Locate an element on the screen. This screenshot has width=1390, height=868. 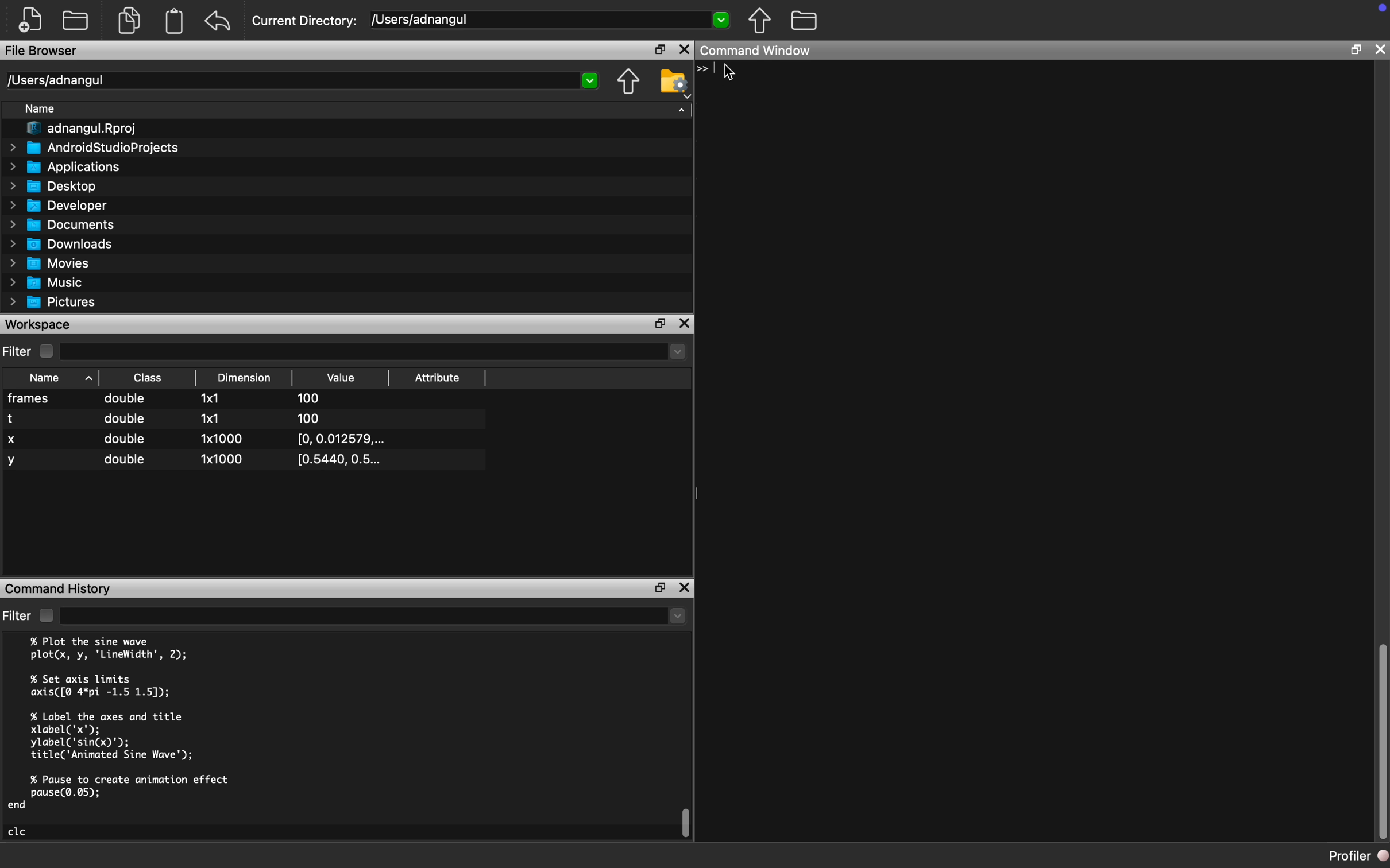
Dimension is located at coordinates (244, 377).